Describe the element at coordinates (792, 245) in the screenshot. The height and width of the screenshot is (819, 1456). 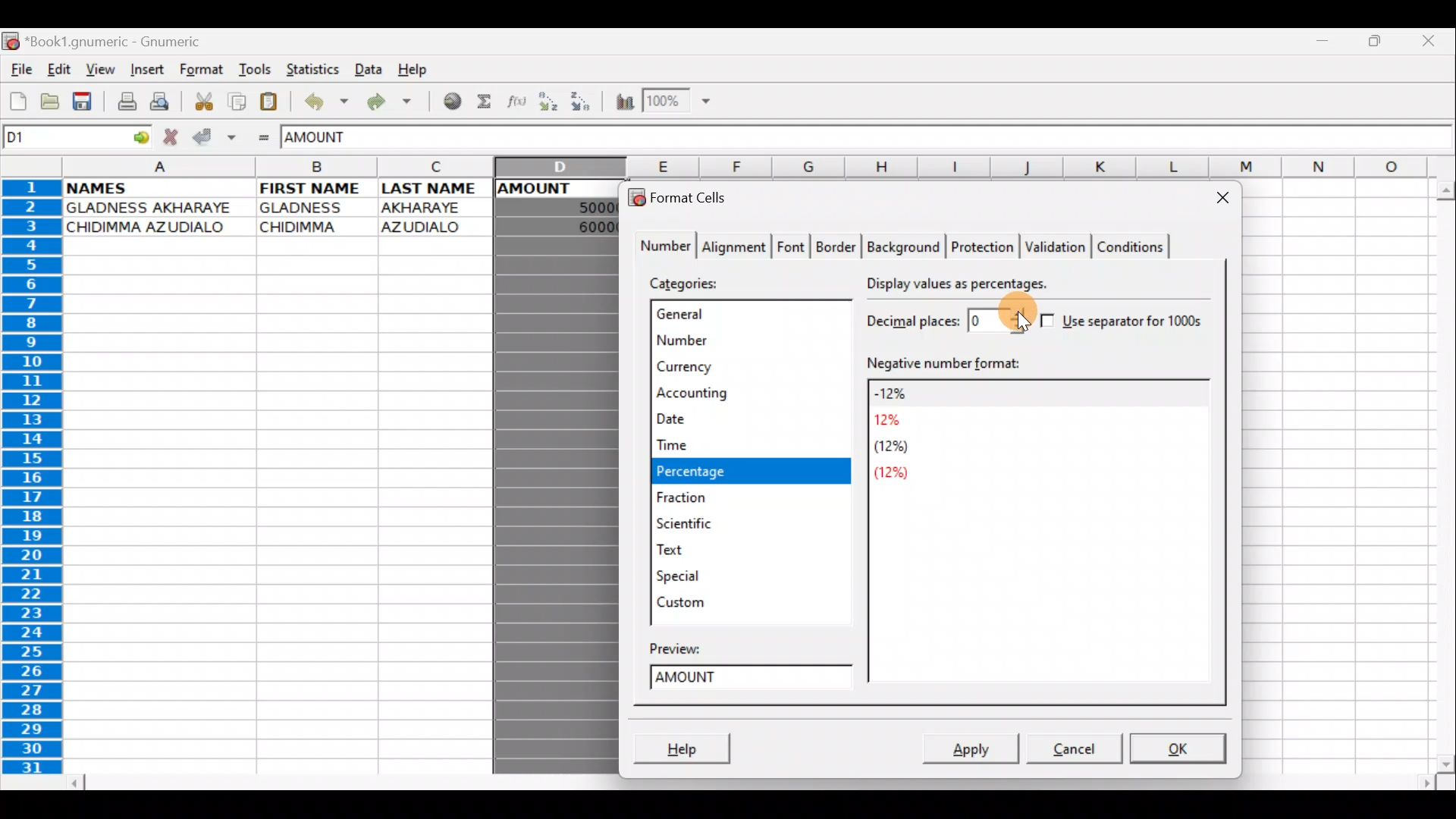
I see `Font` at that location.